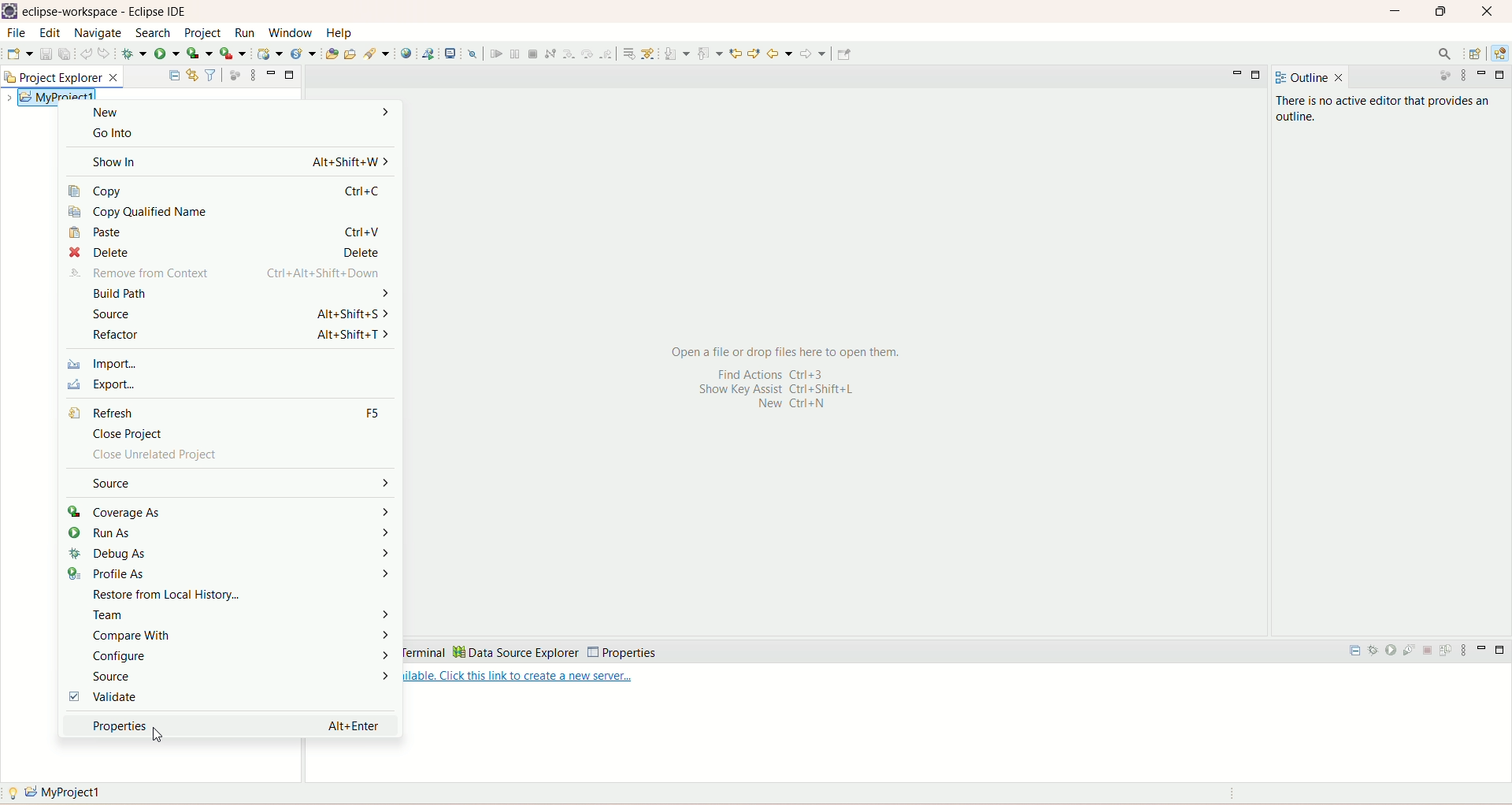 The height and width of the screenshot is (805, 1512). What do you see at coordinates (229, 362) in the screenshot?
I see `import` at bounding box center [229, 362].